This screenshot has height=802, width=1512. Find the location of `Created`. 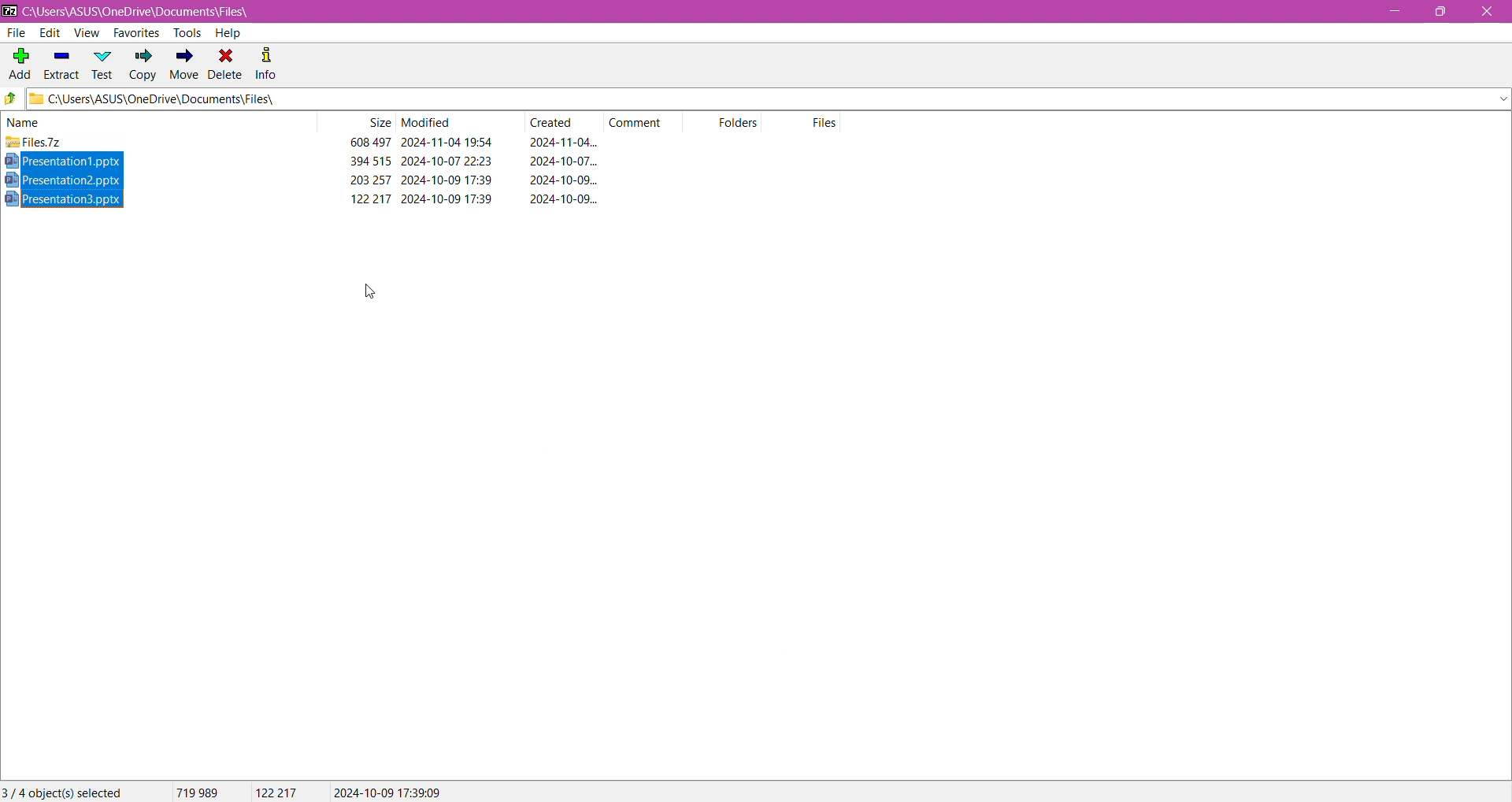

Created is located at coordinates (557, 123).